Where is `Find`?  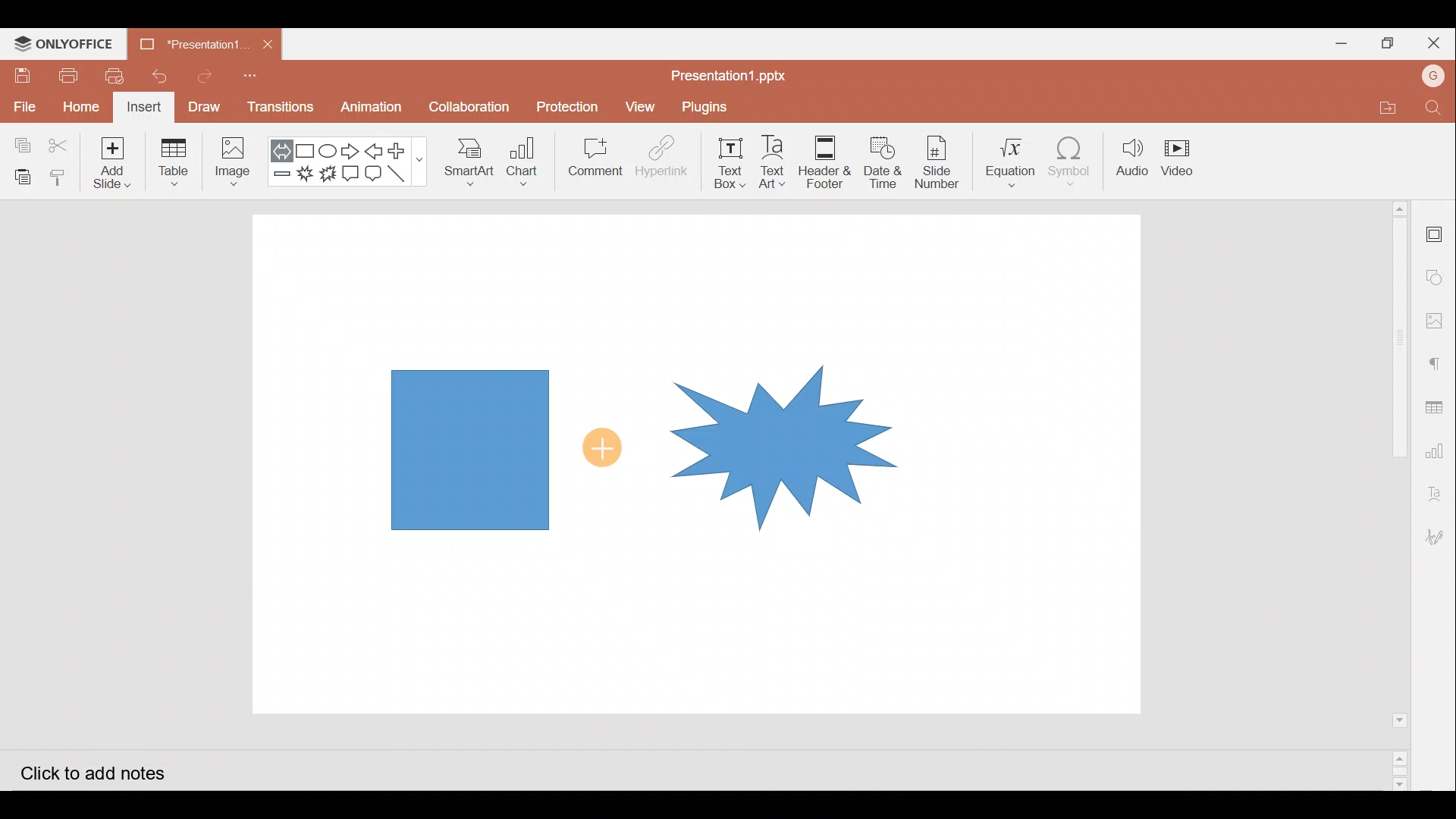 Find is located at coordinates (1433, 108).